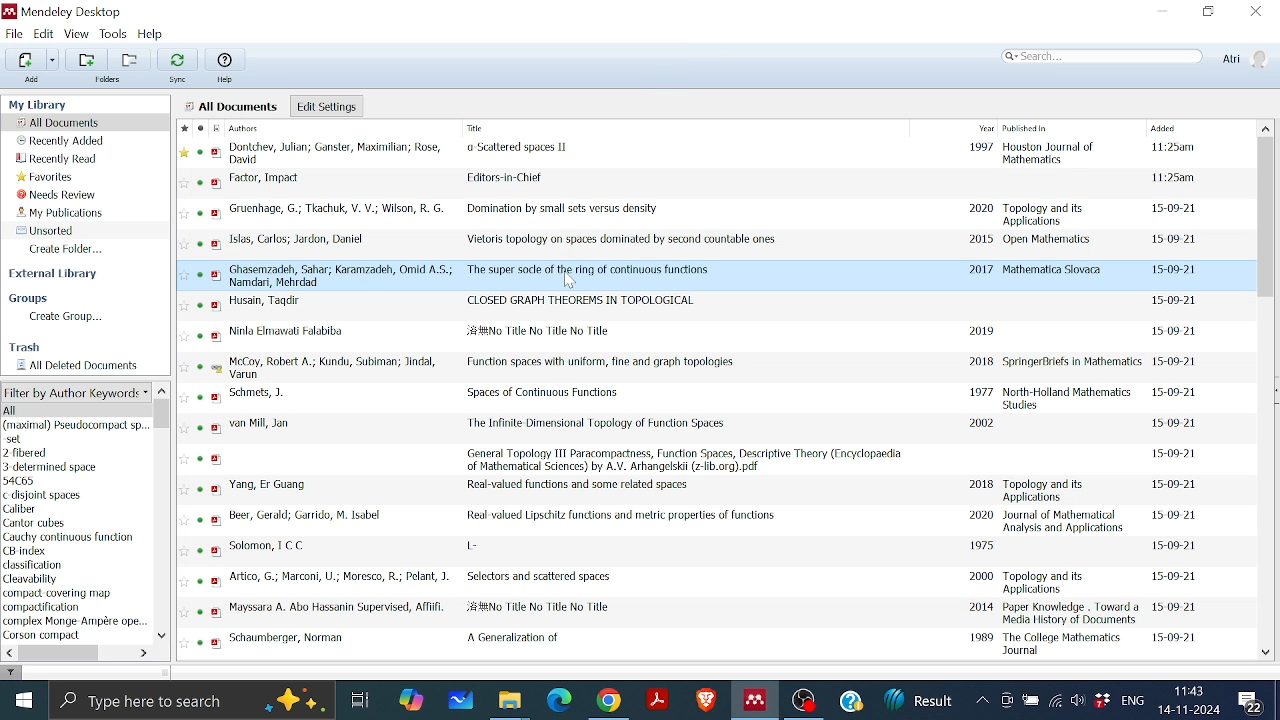 This screenshot has width=1280, height=720. Describe the element at coordinates (984, 703) in the screenshot. I see `Show hidden Icons` at that location.